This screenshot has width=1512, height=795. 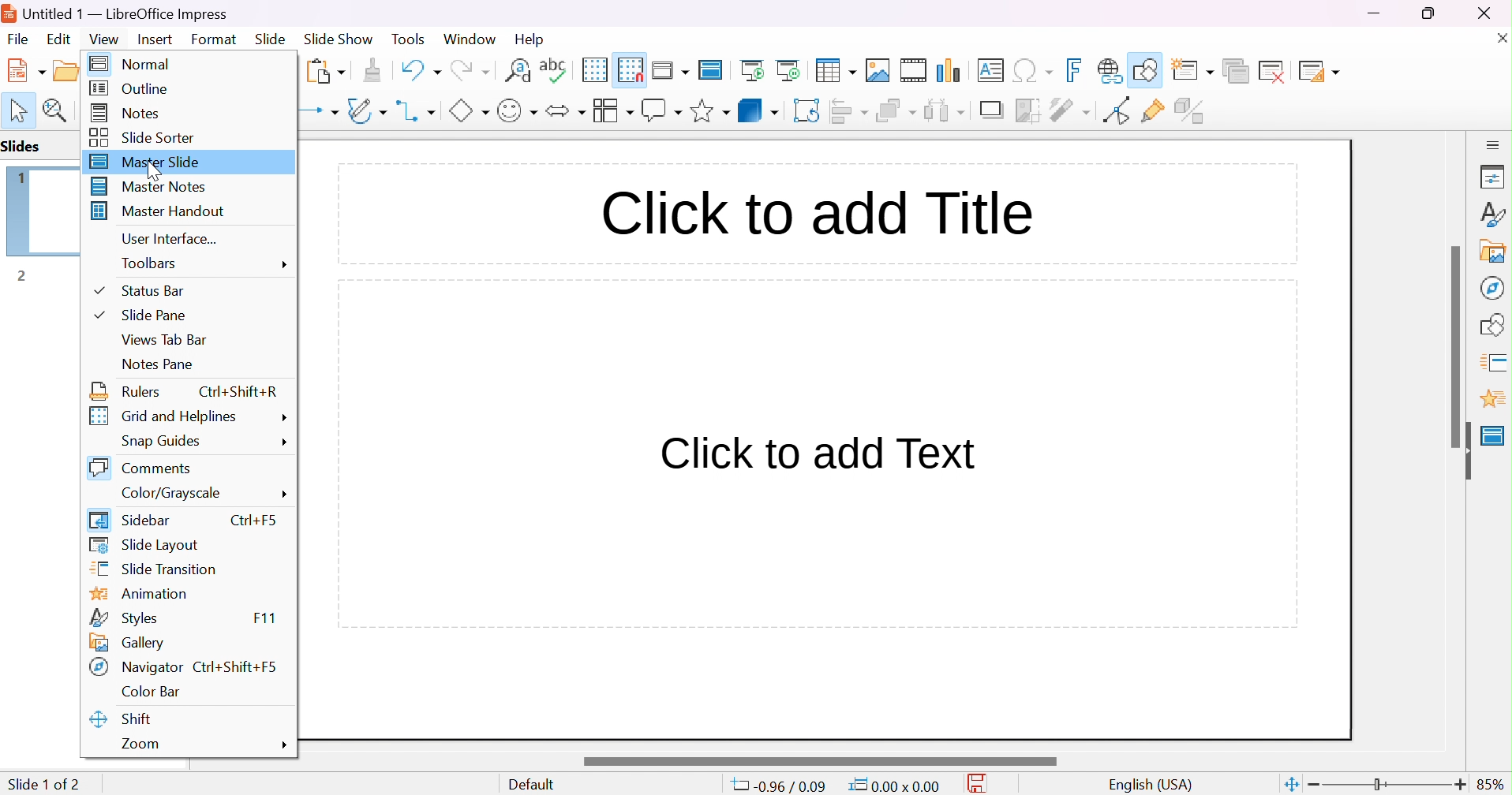 I want to click on slider, so click(x=1458, y=345).